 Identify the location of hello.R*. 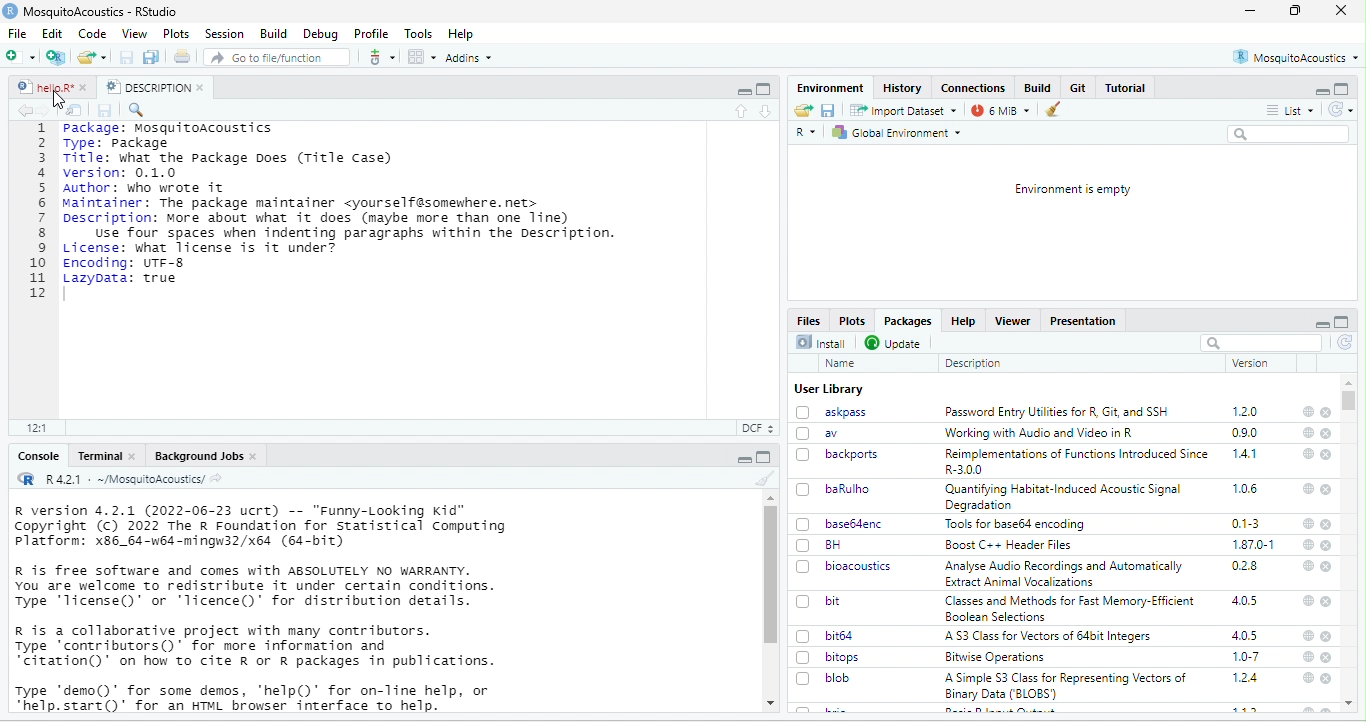
(51, 87).